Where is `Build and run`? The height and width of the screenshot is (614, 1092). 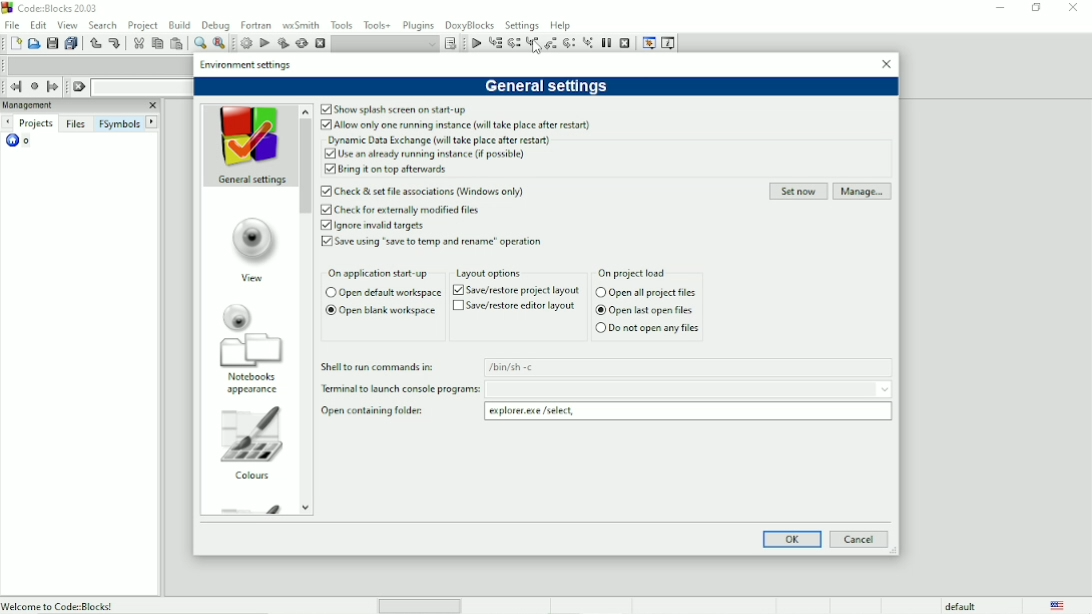 Build and run is located at coordinates (282, 43).